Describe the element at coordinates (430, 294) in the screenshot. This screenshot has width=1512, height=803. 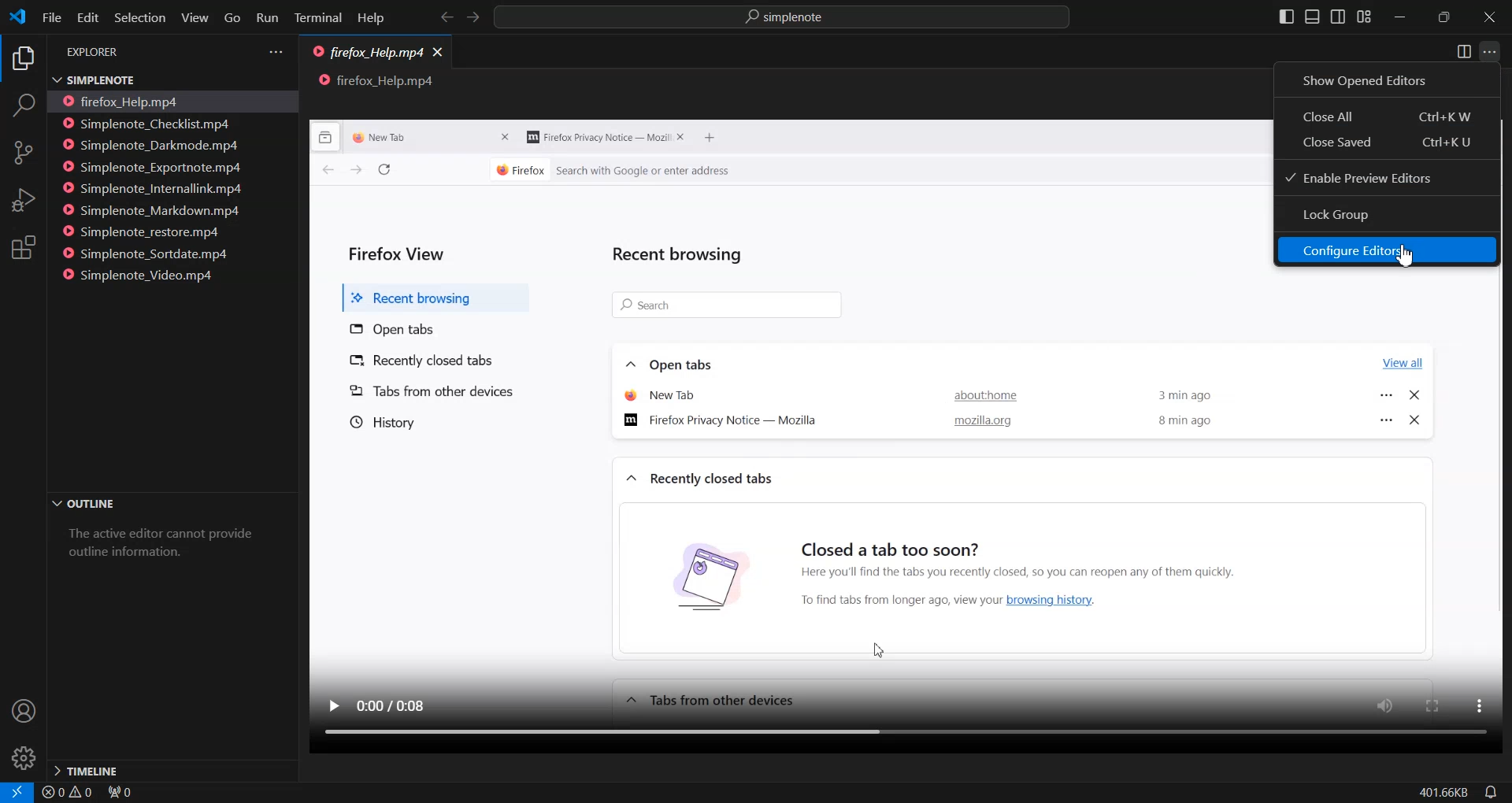
I see `recent browsing` at that location.